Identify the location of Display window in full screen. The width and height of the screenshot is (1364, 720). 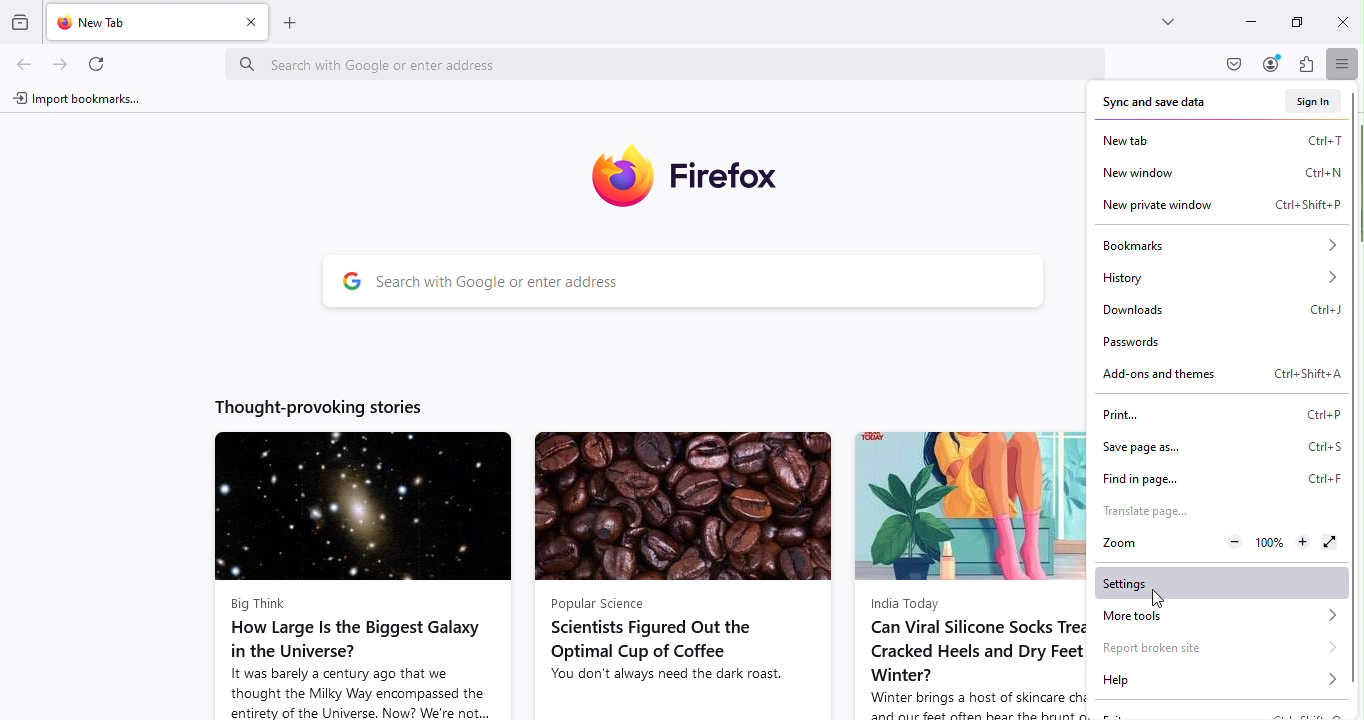
(1327, 542).